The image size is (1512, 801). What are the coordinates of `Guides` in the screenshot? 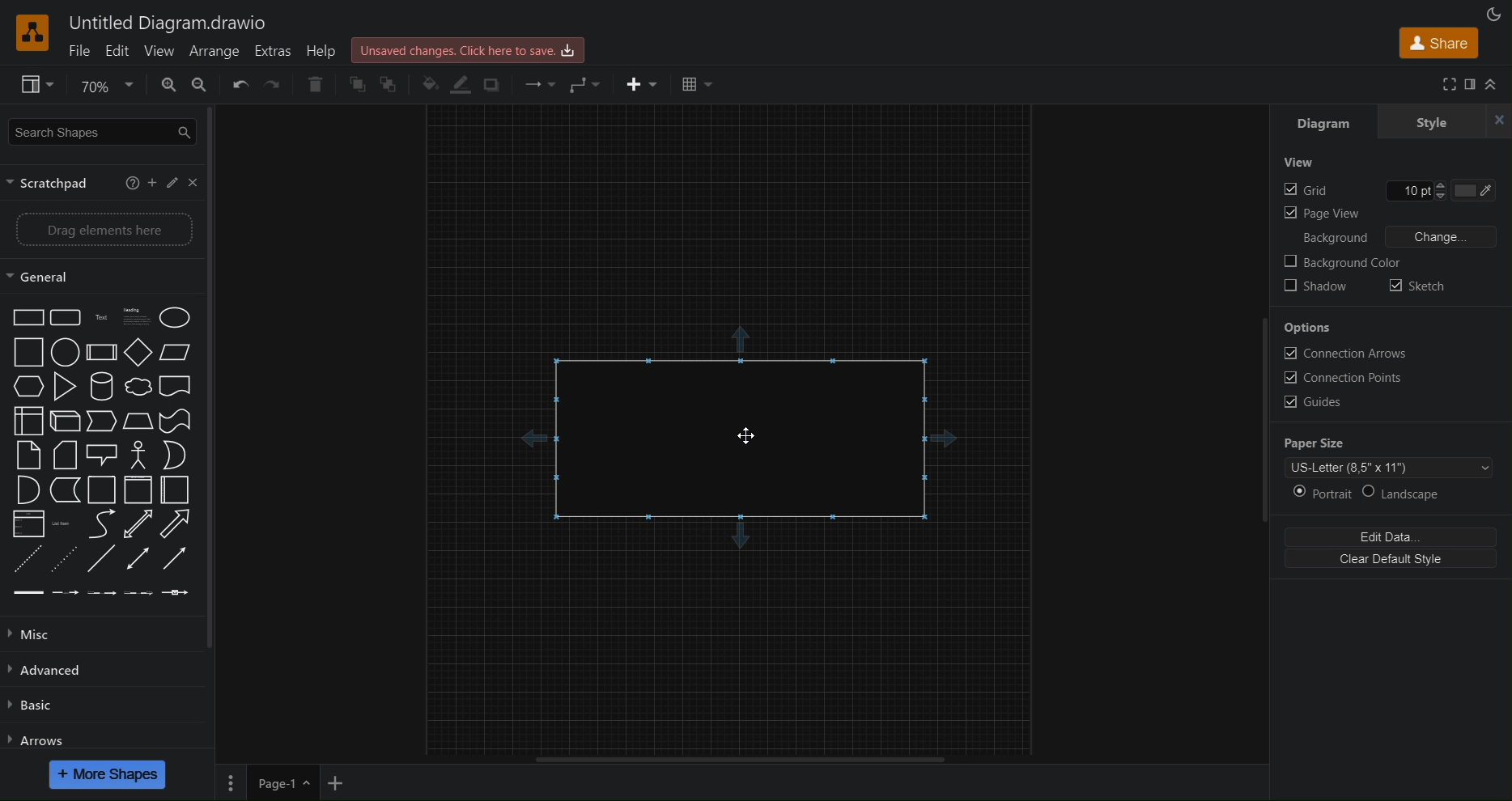 It's located at (1316, 401).